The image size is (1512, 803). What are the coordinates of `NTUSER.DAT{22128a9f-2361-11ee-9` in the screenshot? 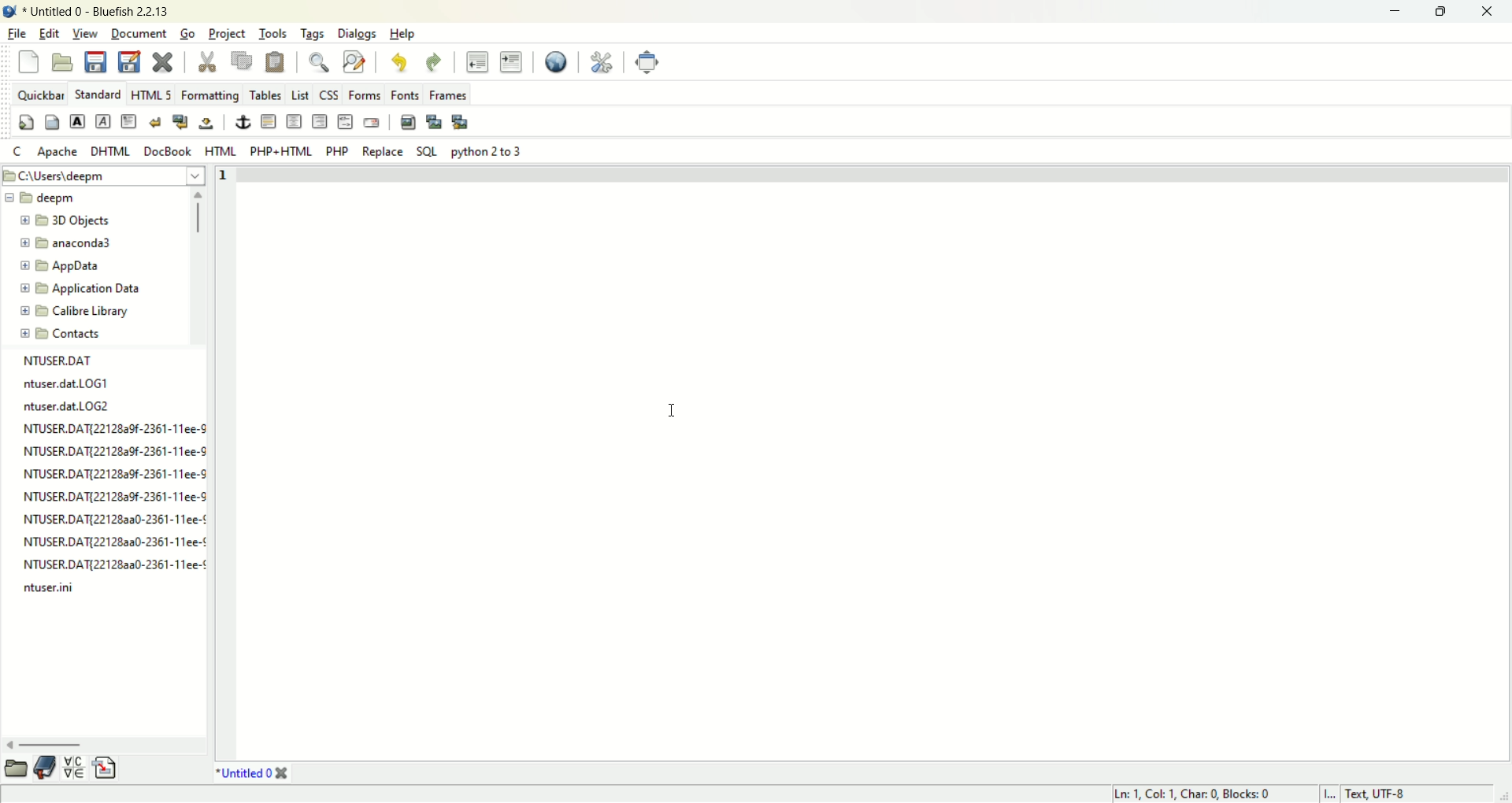 It's located at (108, 427).